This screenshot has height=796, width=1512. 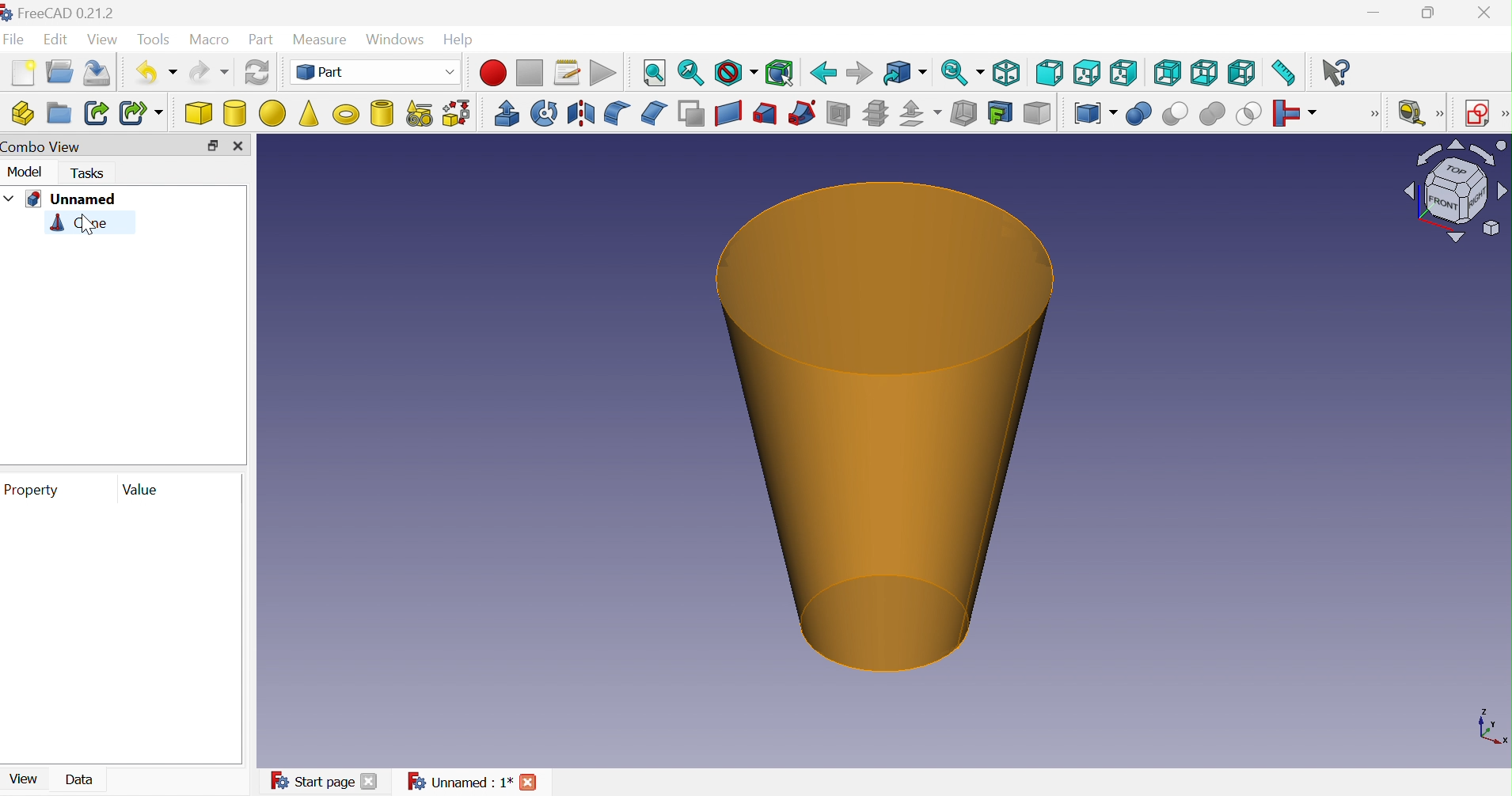 What do you see at coordinates (211, 40) in the screenshot?
I see `Macro` at bounding box center [211, 40].